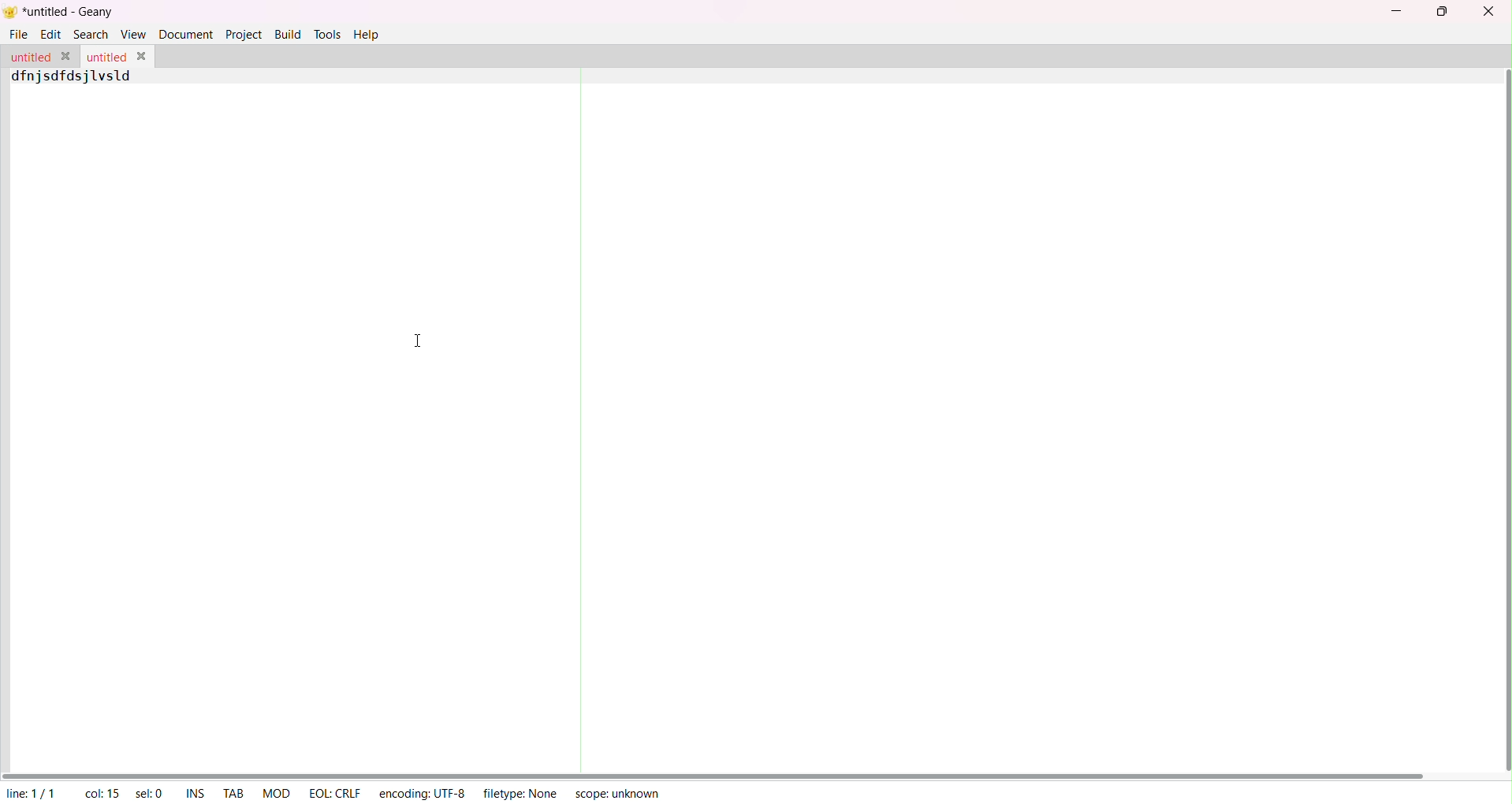 The height and width of the screenshot is (804, 1512). What do you see at coordinates (73, 78) in the screenshot?
I see `dfnjsdfdsjlvsld` at bounding box center [73, 78].